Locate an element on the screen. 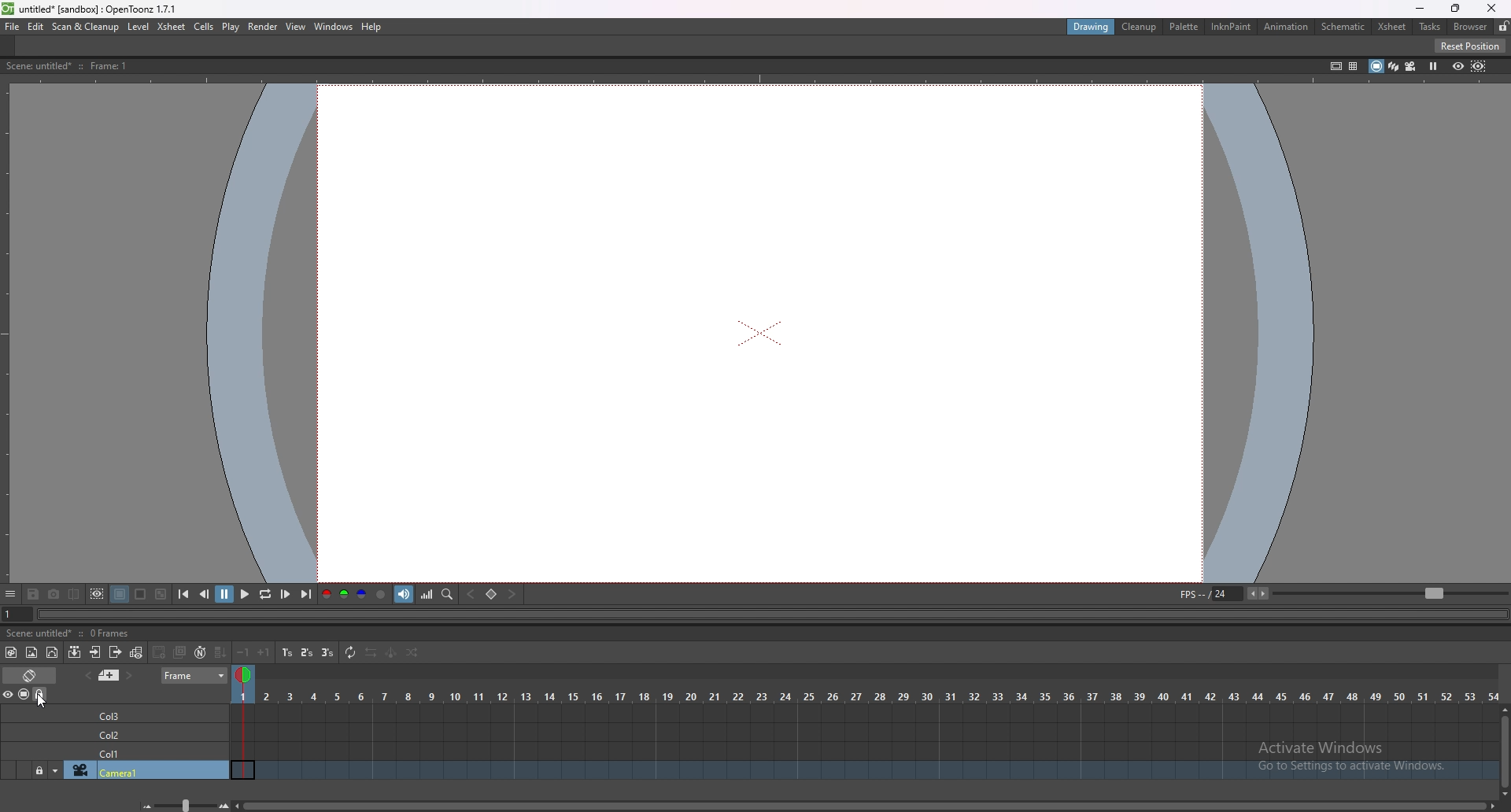 This screenshot has width=1511, height=812. camera is located at coordinates (147, 771).